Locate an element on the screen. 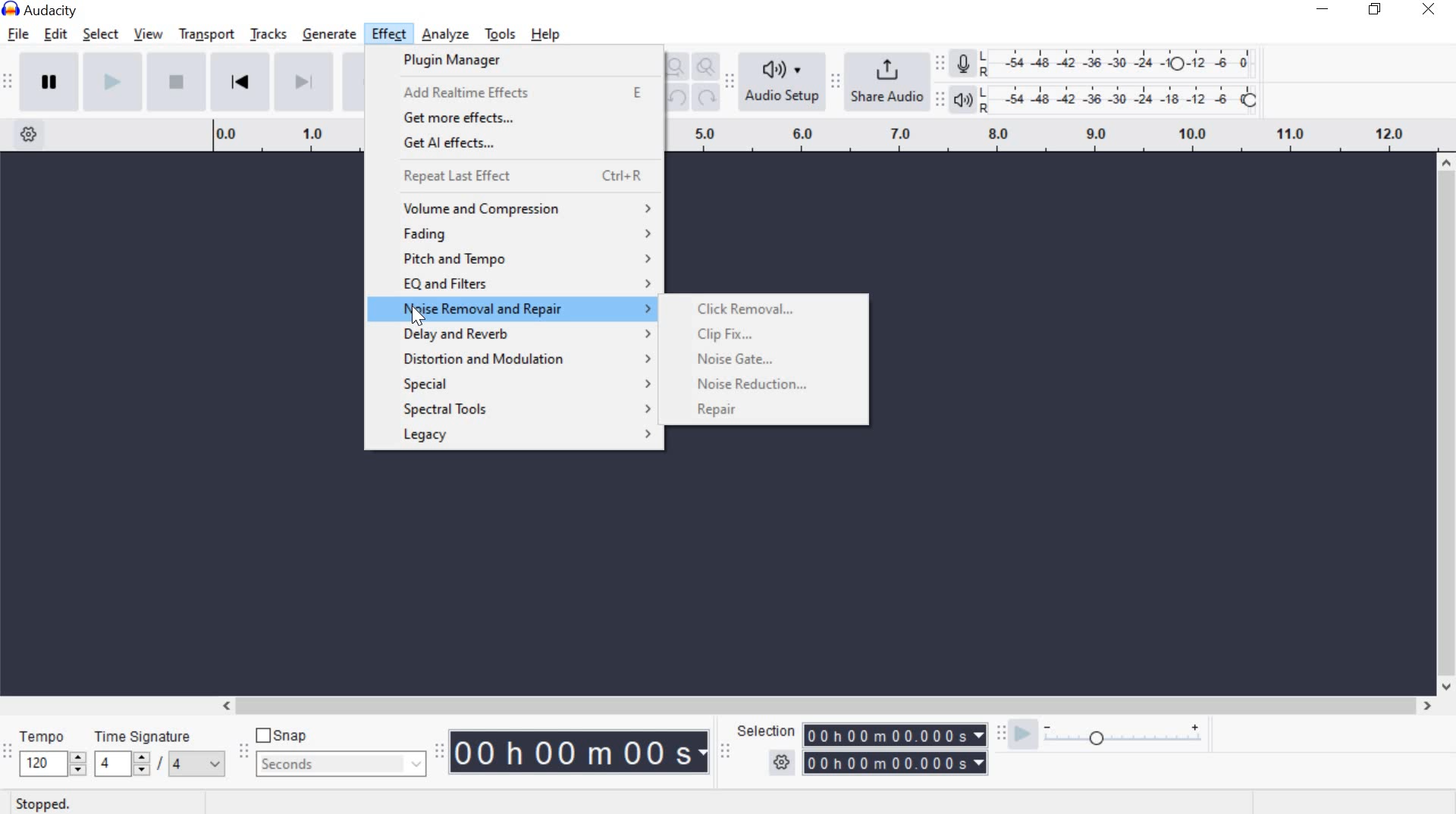 Image resolution: width=1456 pixels, height=814 pixels. Audacity Time is located at coordinates (581, 751).